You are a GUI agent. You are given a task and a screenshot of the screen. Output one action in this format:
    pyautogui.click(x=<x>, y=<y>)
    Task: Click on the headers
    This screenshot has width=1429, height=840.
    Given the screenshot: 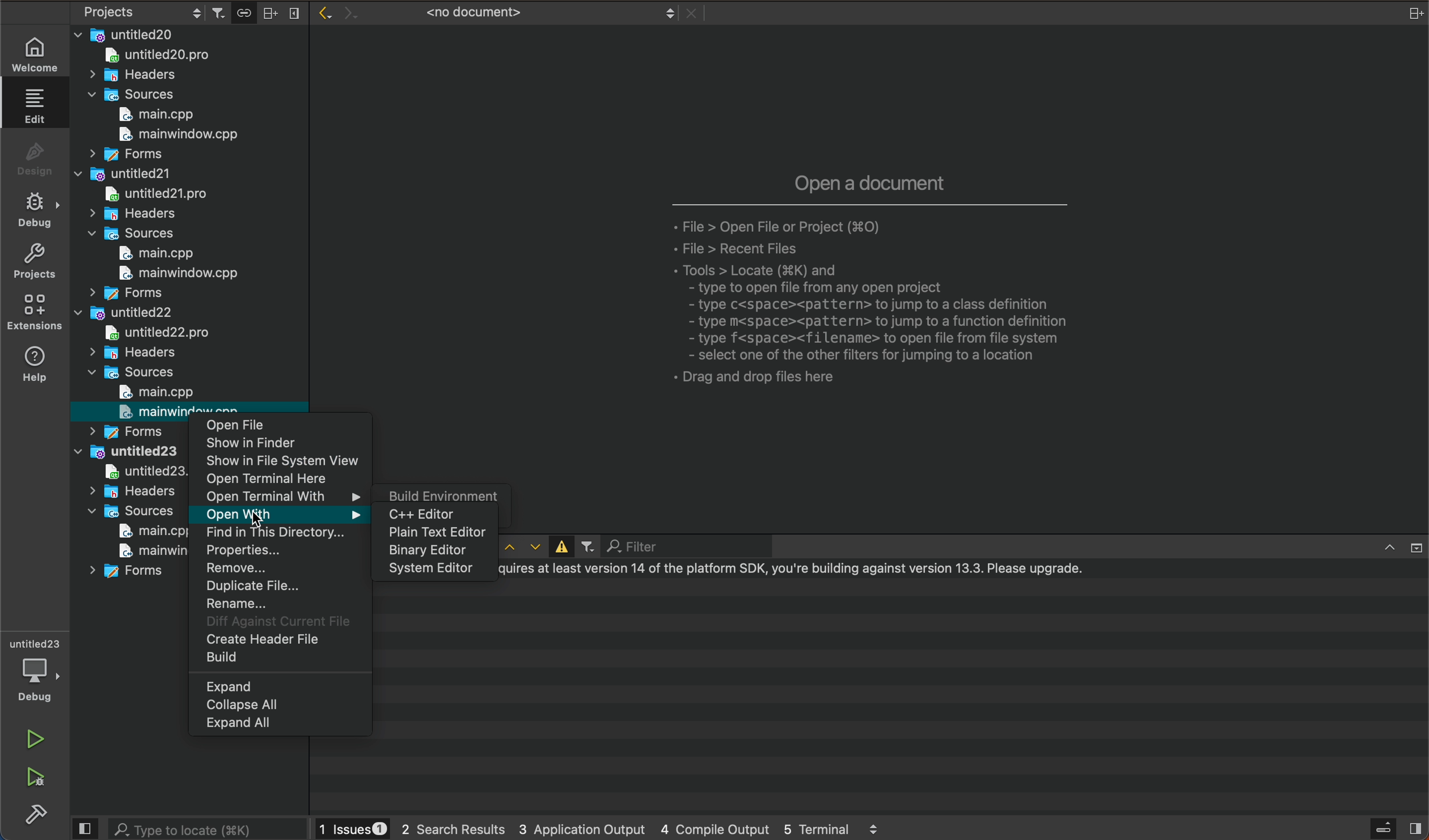 What is the action you would take?
    pyautogui.click(x=137, y=75)
    